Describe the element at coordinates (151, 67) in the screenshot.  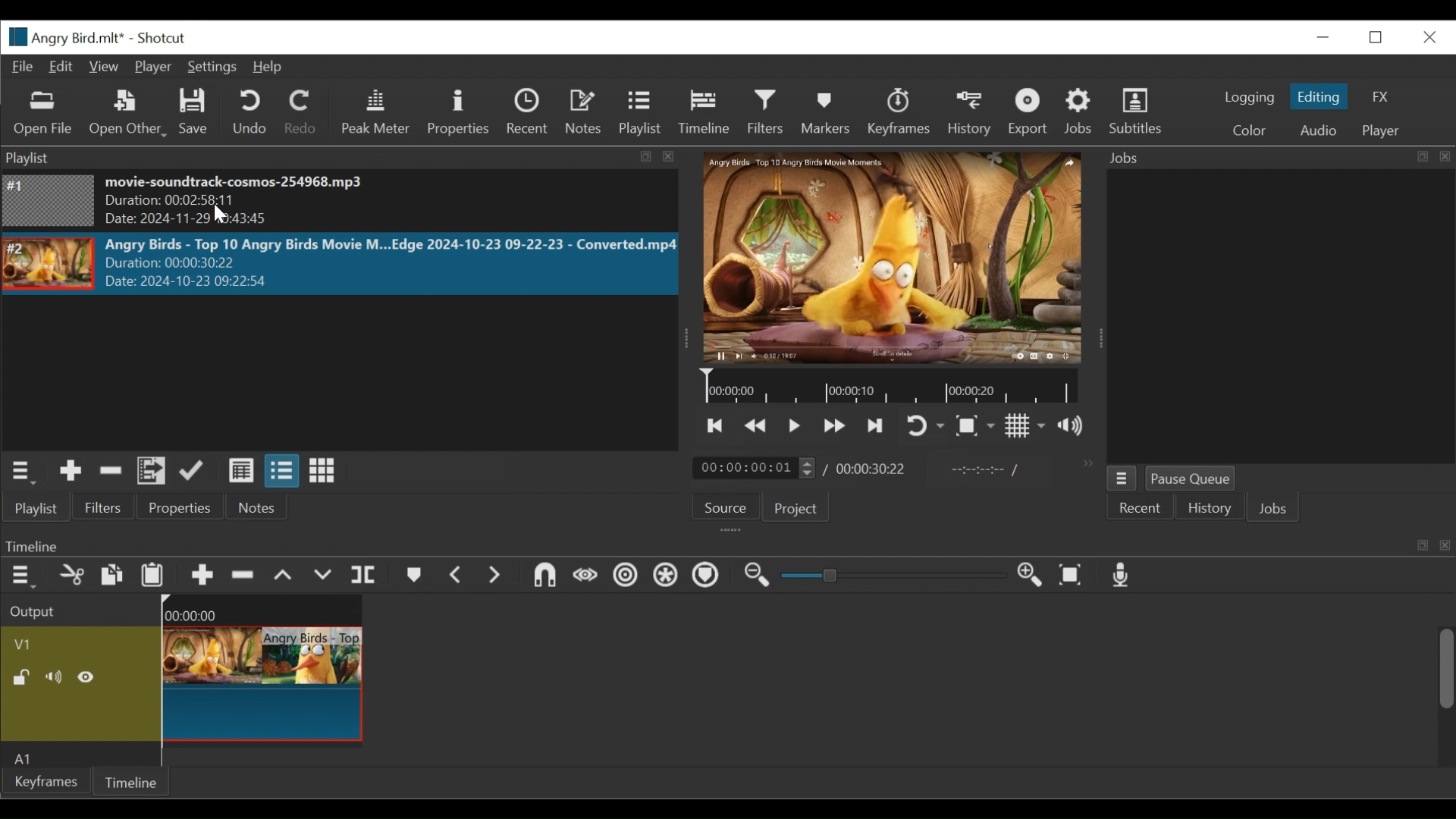
I see `Player` at that location.